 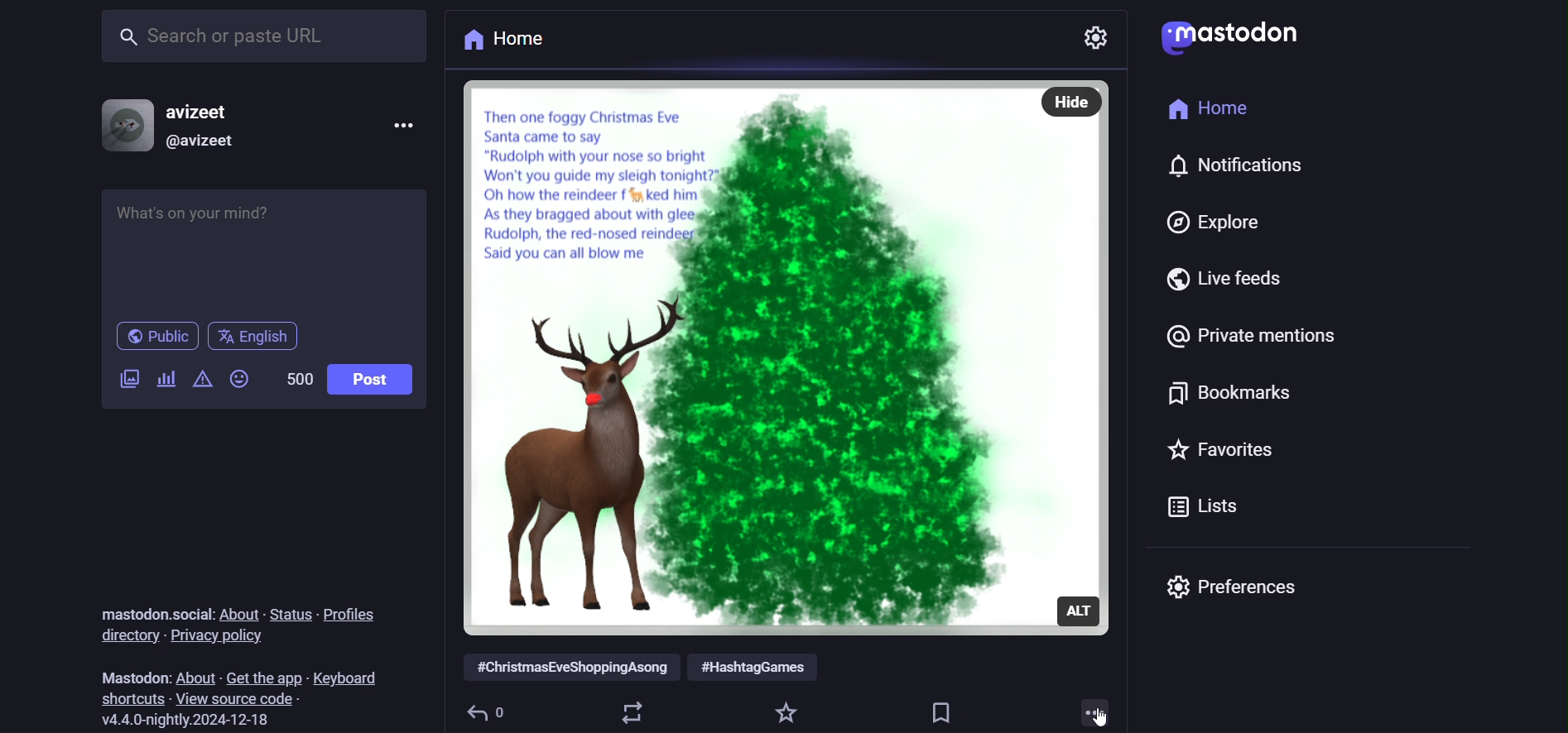 I want to click on logo, so click(x=1239, y=39).